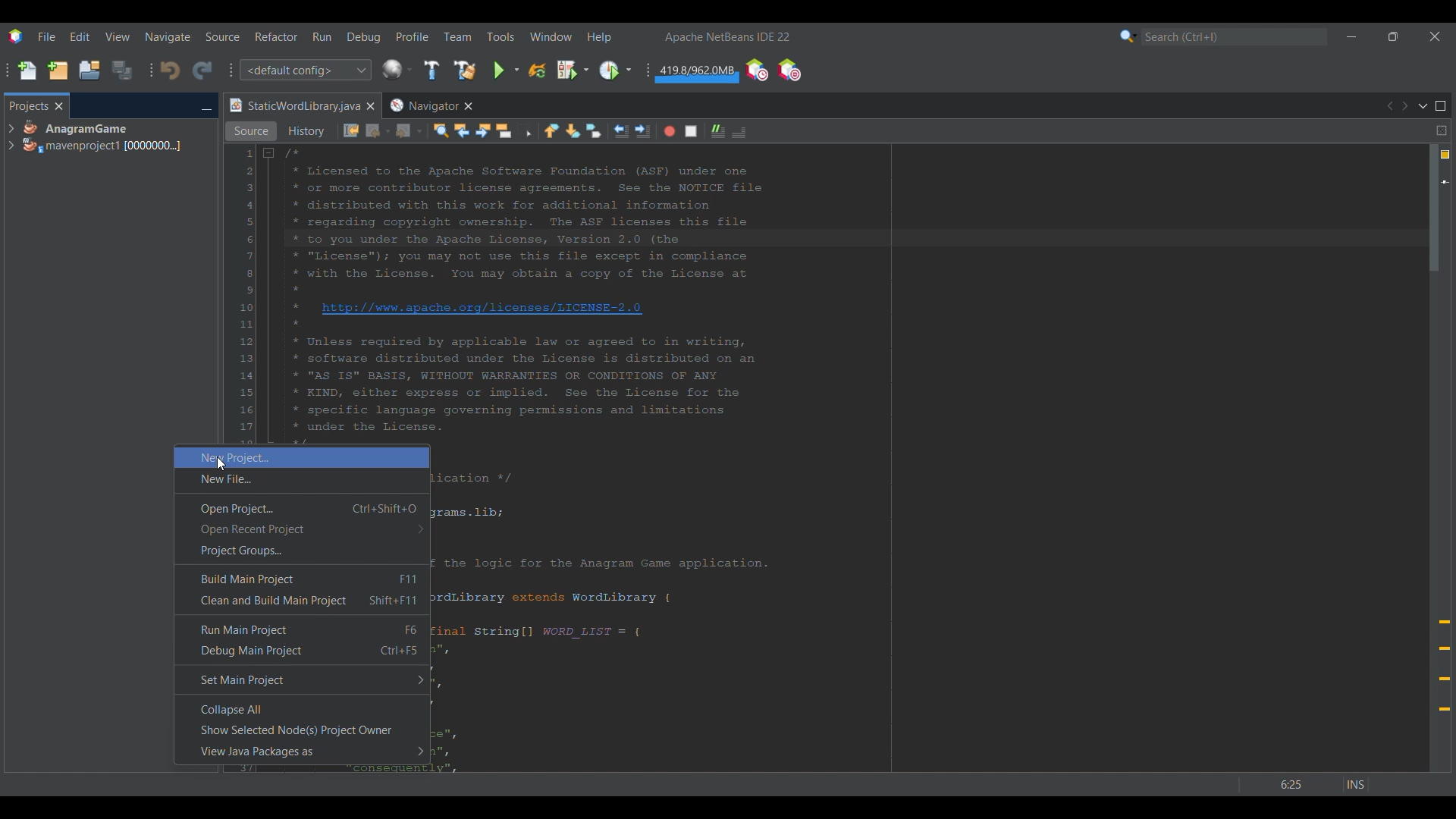  Describe the element at coordinates (80, 37) in the screenshot. I see `Edit menu` at that location.